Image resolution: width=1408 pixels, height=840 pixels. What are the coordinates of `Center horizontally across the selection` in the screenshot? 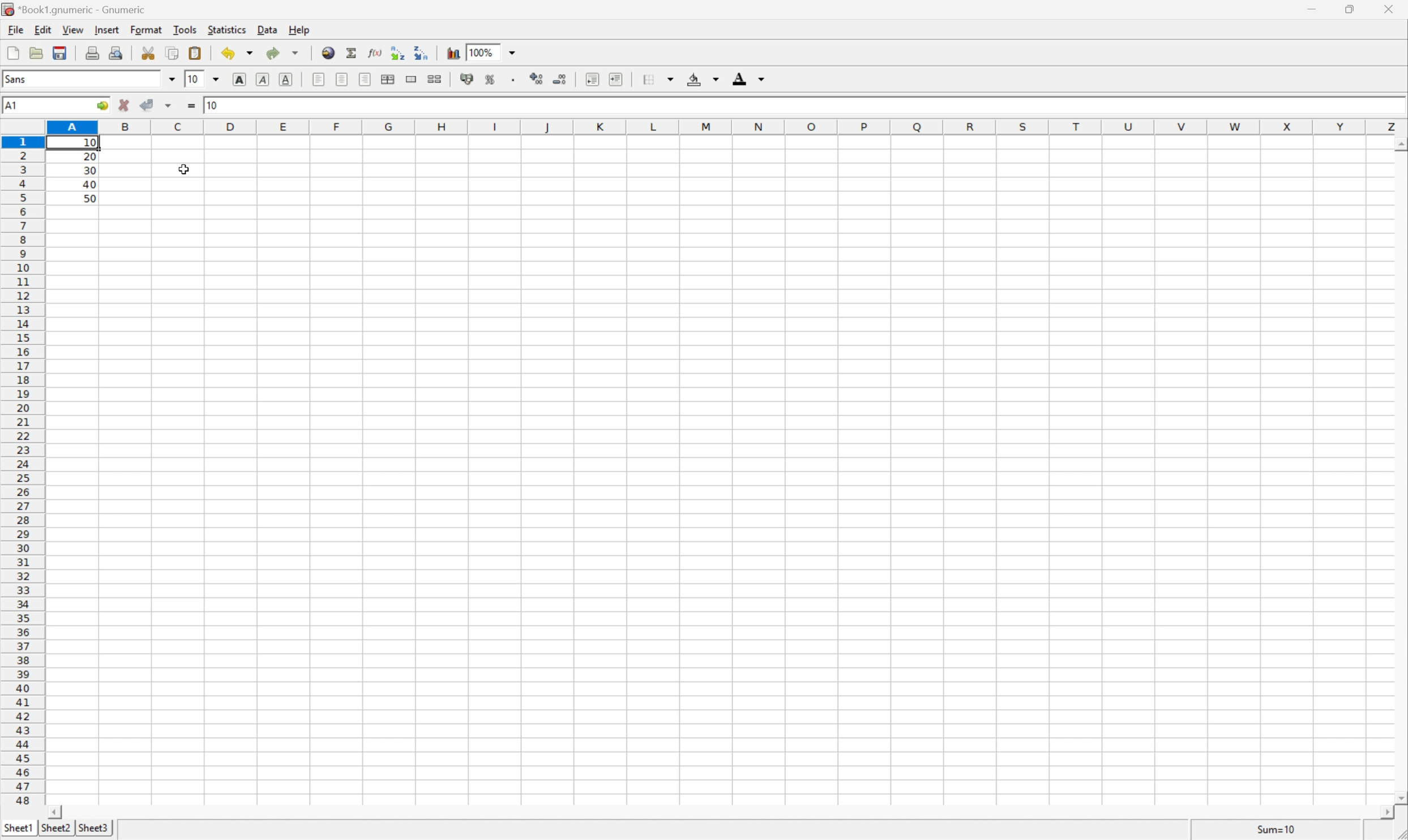 It's located at (388, 79).